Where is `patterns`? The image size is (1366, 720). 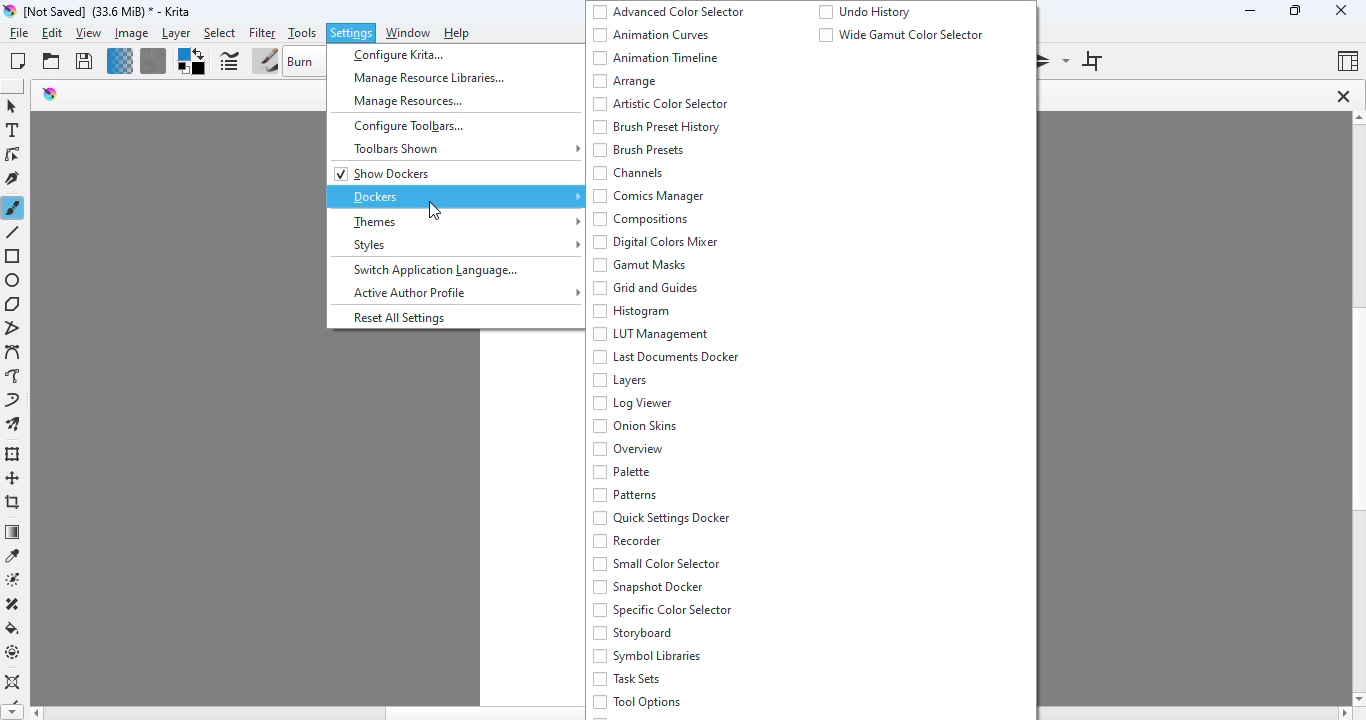 patterns is located at coordinates (626, 495).